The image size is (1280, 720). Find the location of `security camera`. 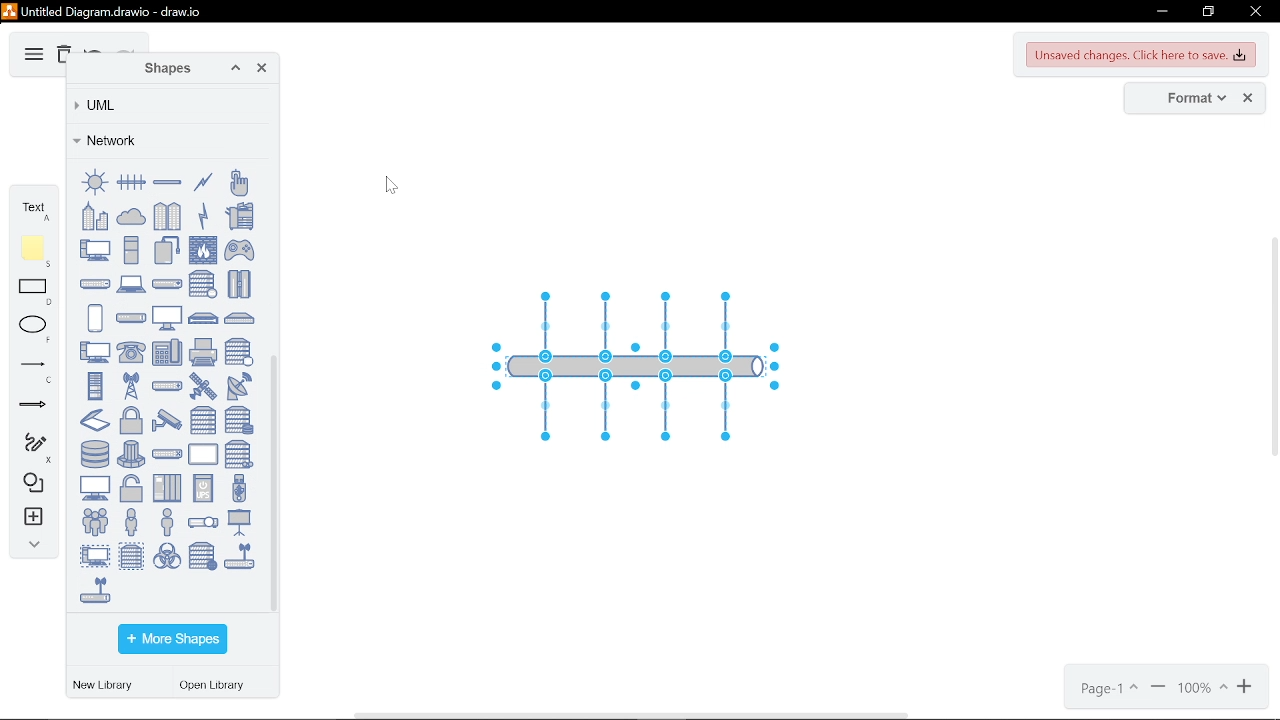

security camera is located at coordinates (167, 420).